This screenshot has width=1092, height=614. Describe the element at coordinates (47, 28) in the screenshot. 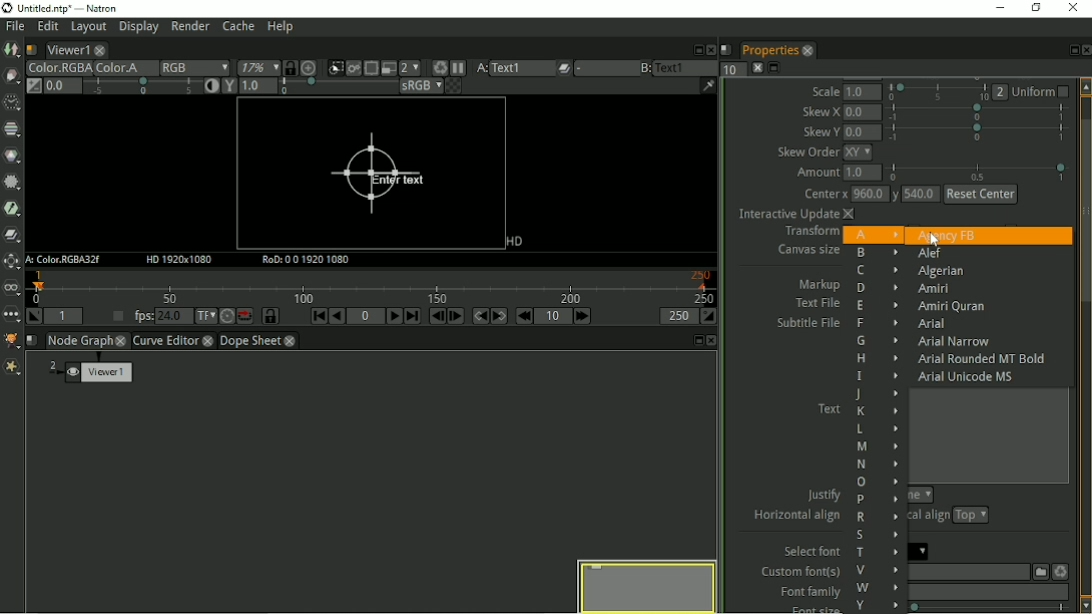

I see `Edit` at that location.